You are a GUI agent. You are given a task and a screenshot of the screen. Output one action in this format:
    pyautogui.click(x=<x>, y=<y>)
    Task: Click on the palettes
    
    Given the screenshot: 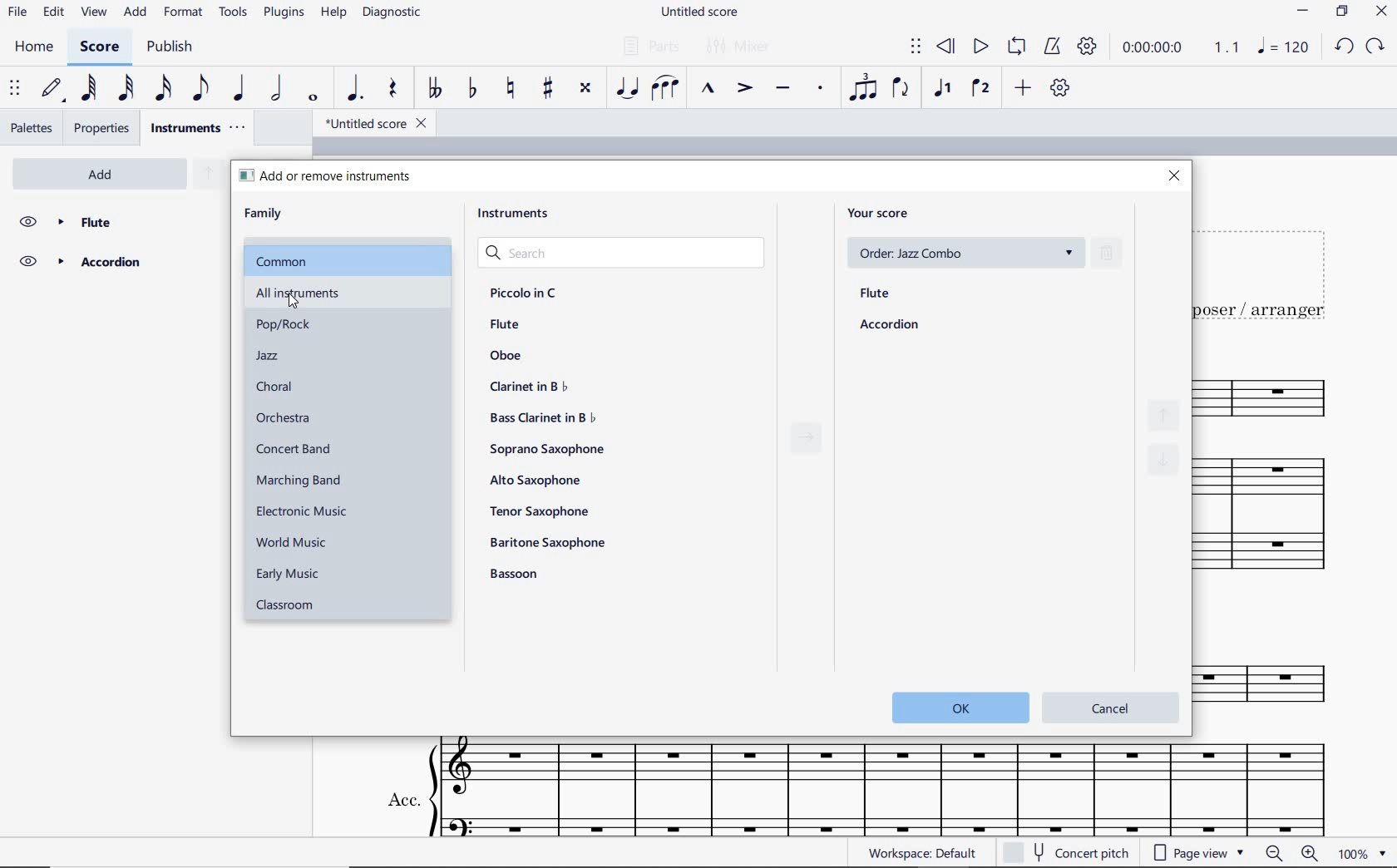 What is the action you would take?
    pyautogui.click(x=32, y=128)
    